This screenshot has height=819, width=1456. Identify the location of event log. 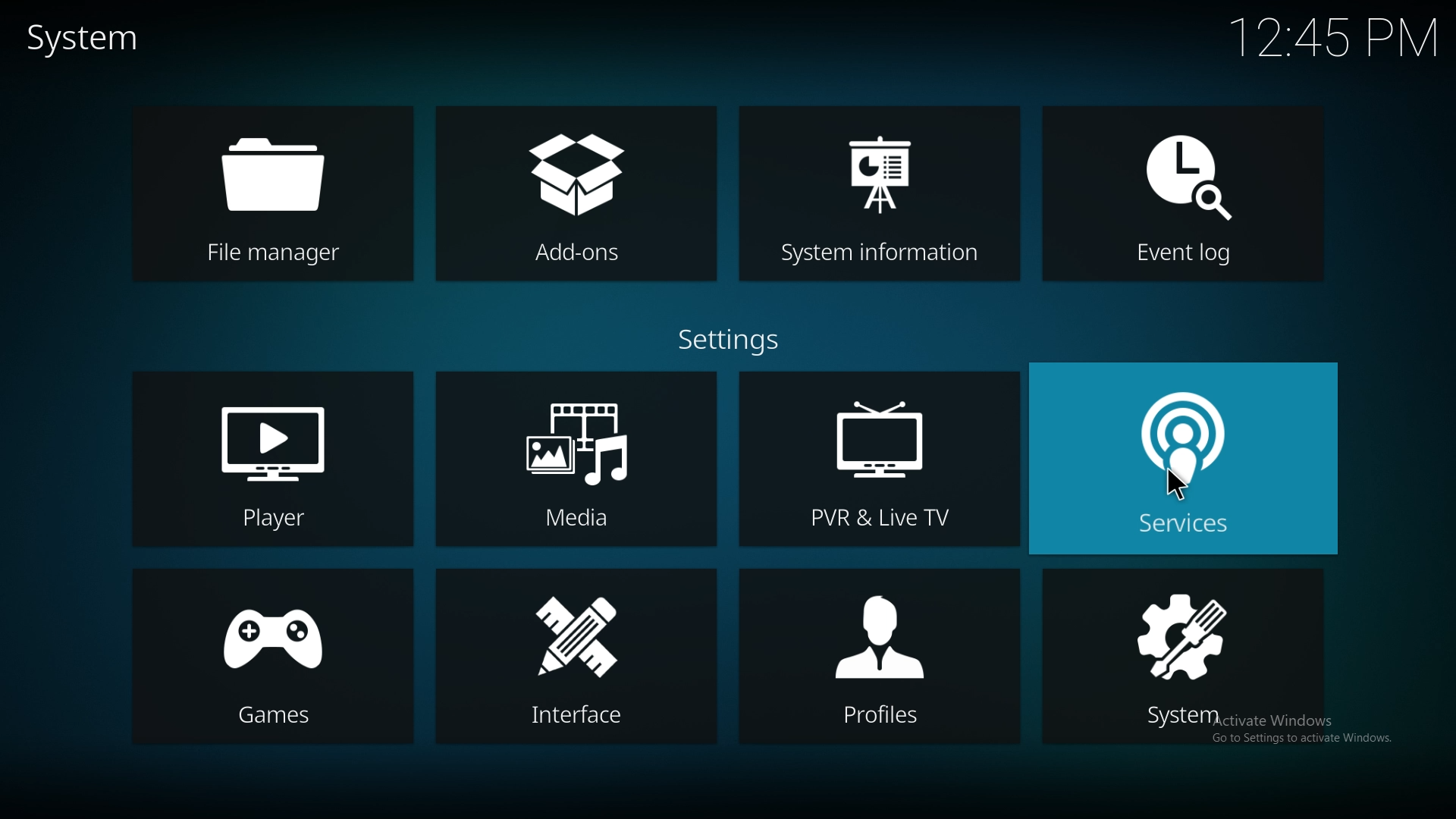
(1178, 180).